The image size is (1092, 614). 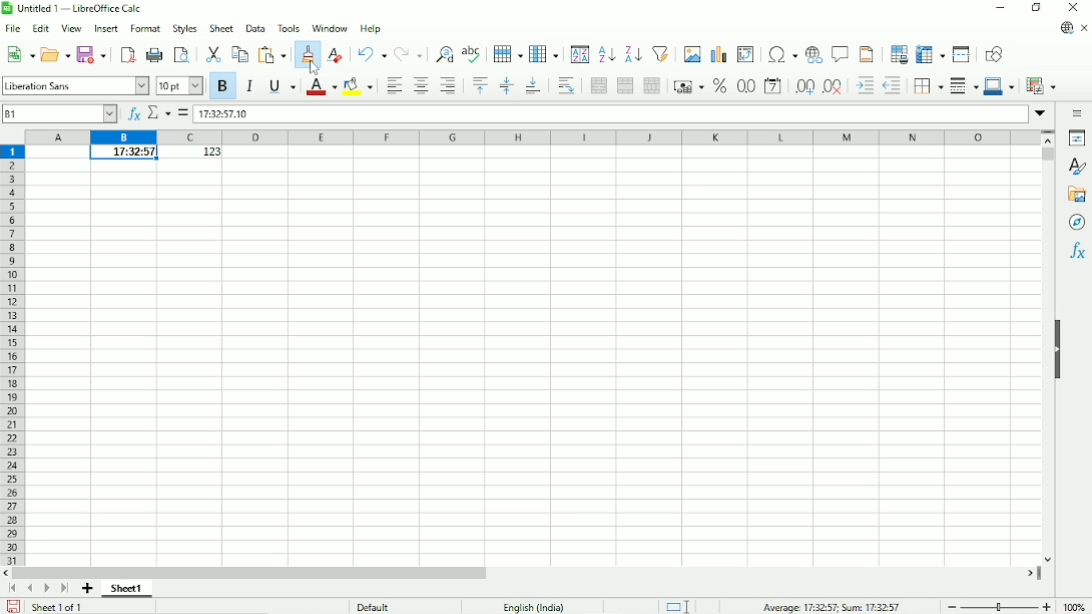 I want to click on Find and replace, so click(x=443, y=53).